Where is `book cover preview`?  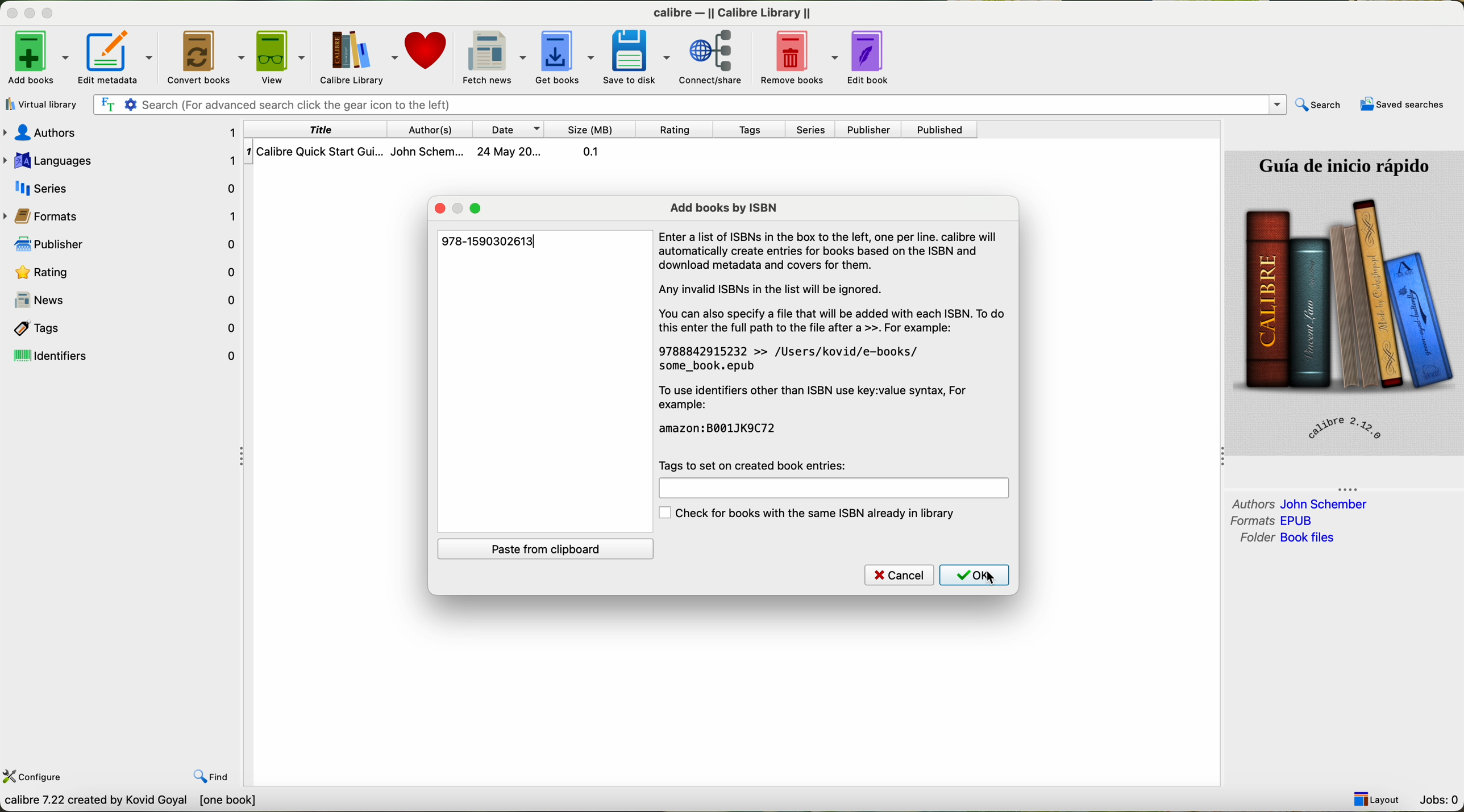 book cover preview is located at coordinates (1344, 302).